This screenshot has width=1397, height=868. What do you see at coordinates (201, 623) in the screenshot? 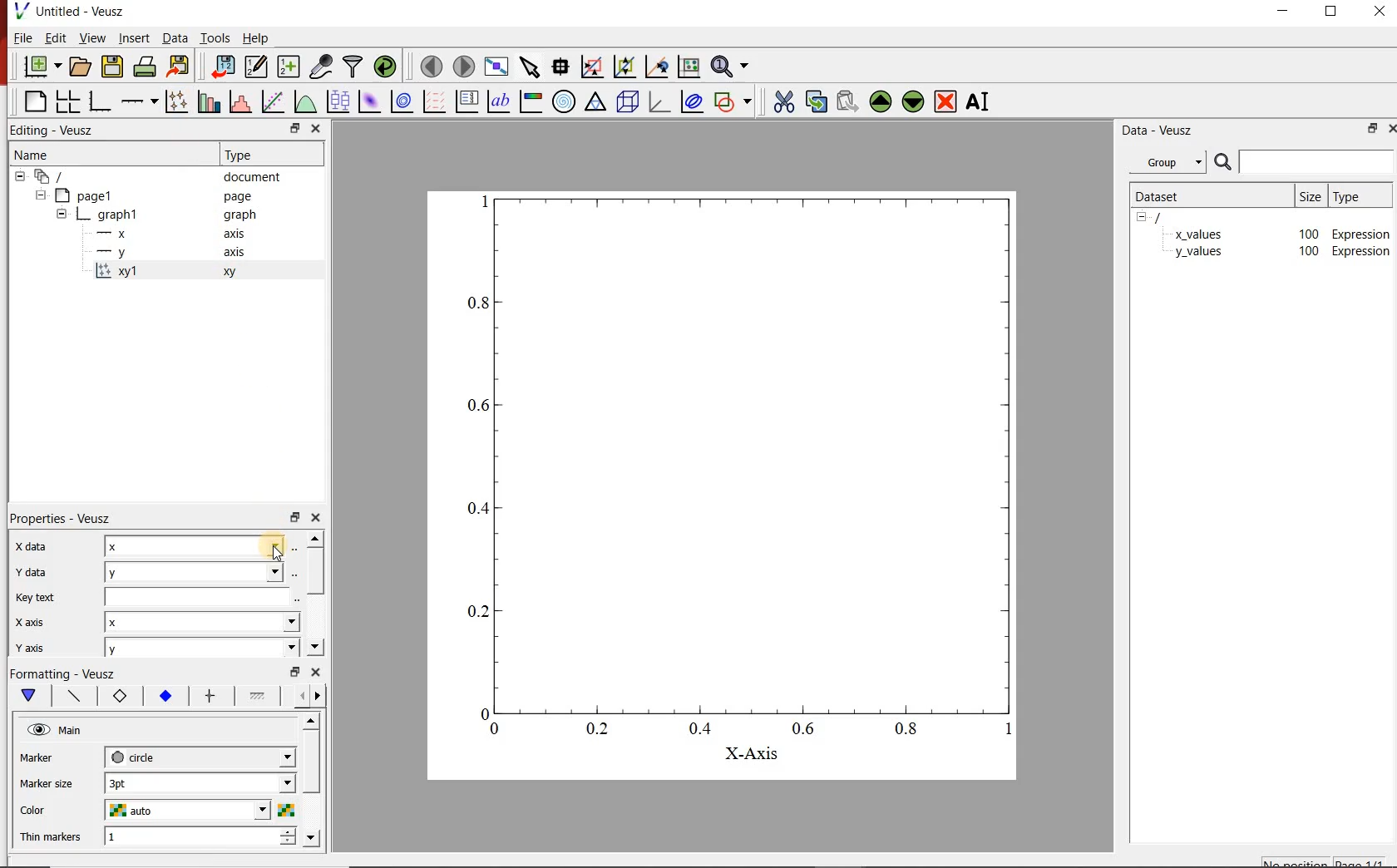
I see `x` at bounding box center [201, 623].